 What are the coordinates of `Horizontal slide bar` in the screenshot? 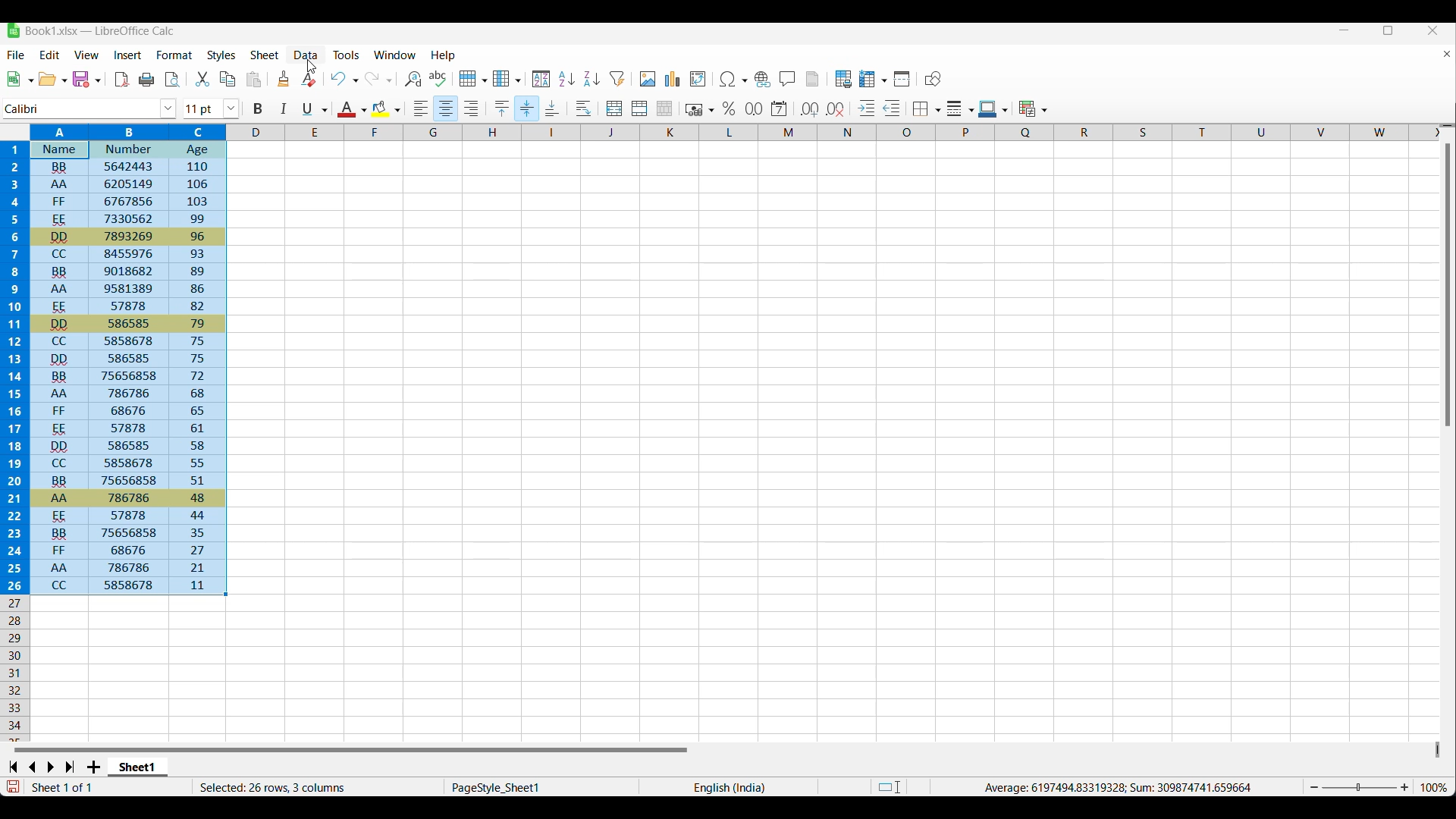 It's located at (351, 749).